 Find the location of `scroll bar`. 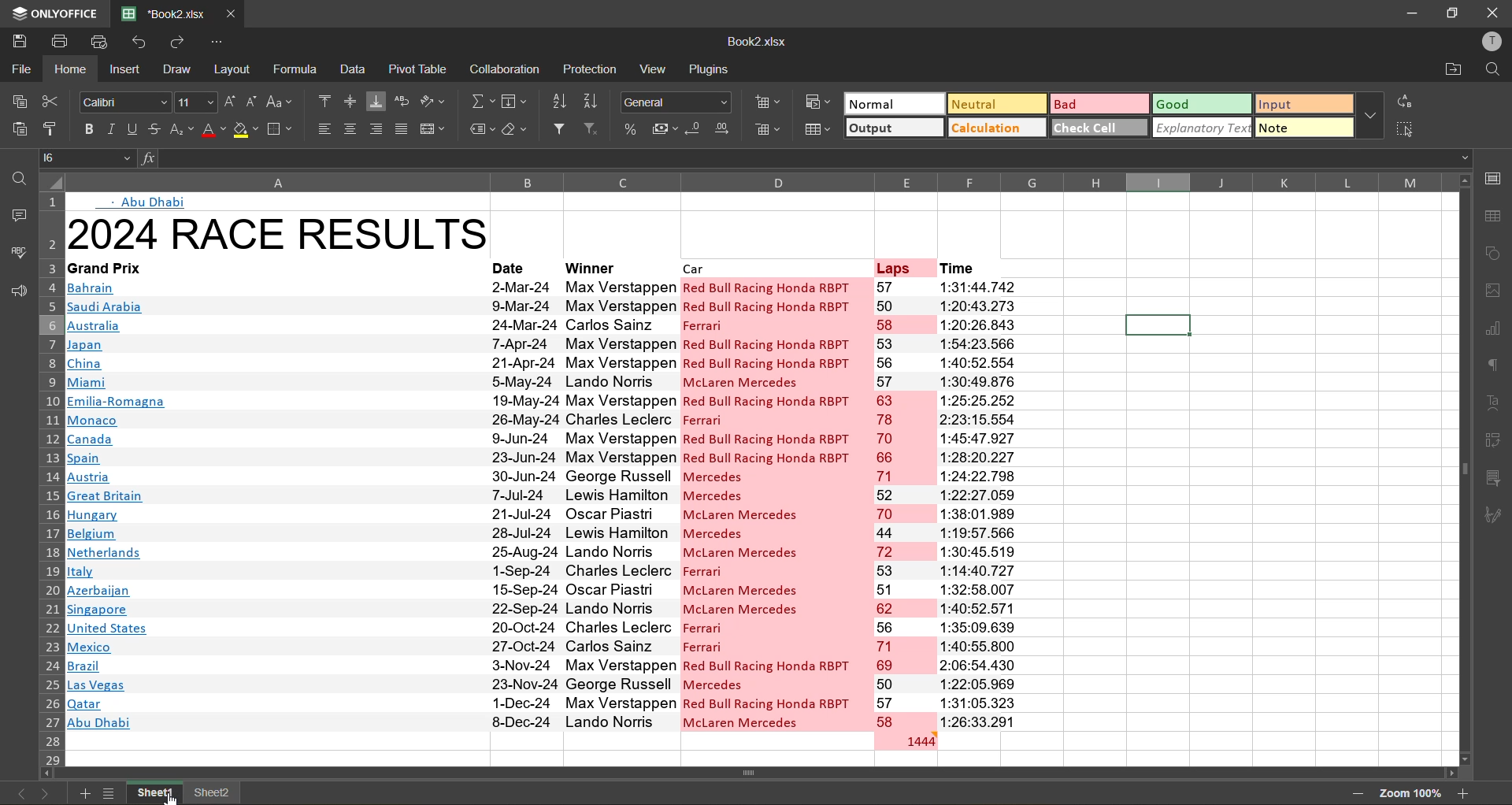

scroll bar is located at coordinates (784, 772).